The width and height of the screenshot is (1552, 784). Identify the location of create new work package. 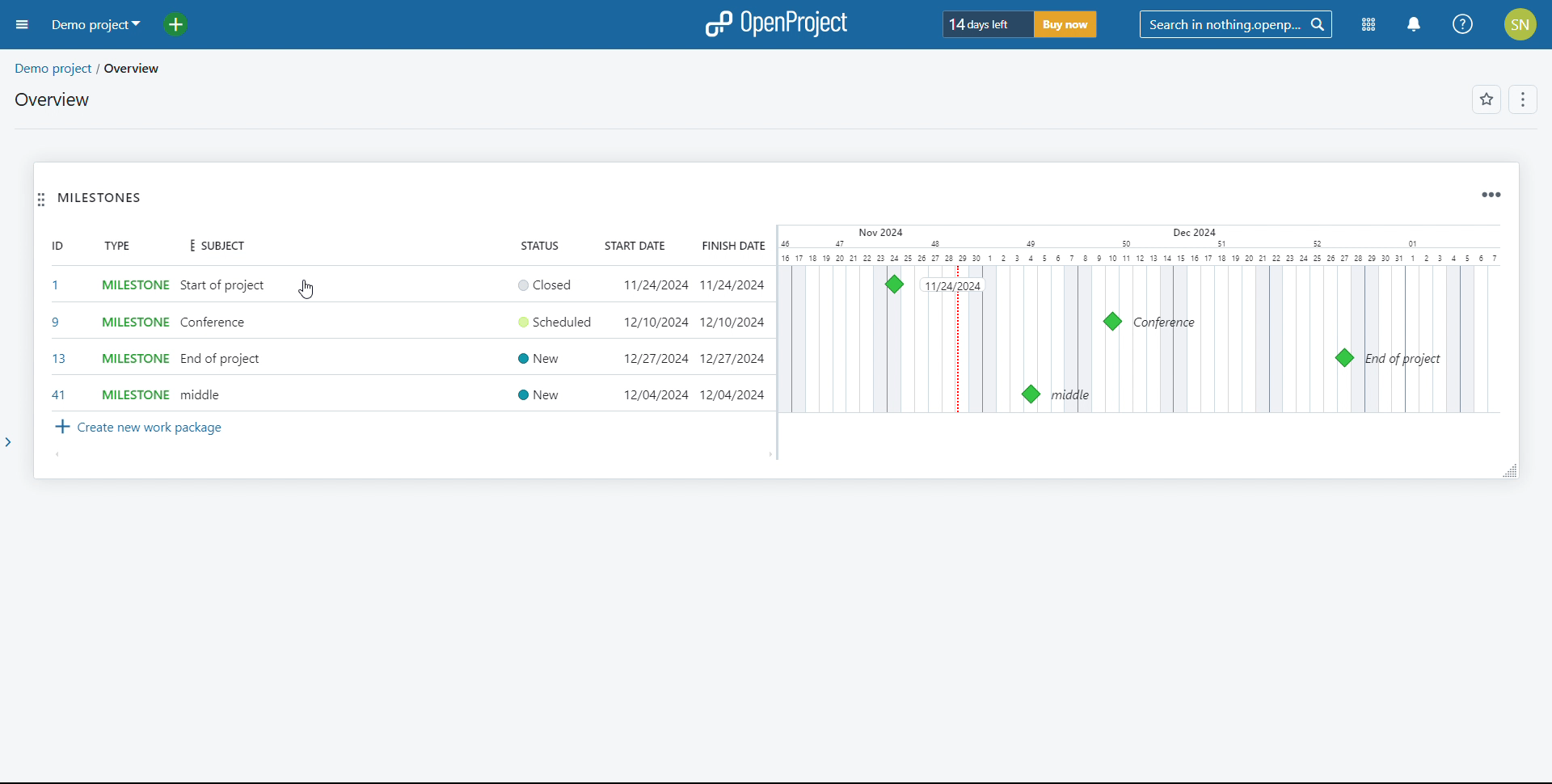
(142, 428).